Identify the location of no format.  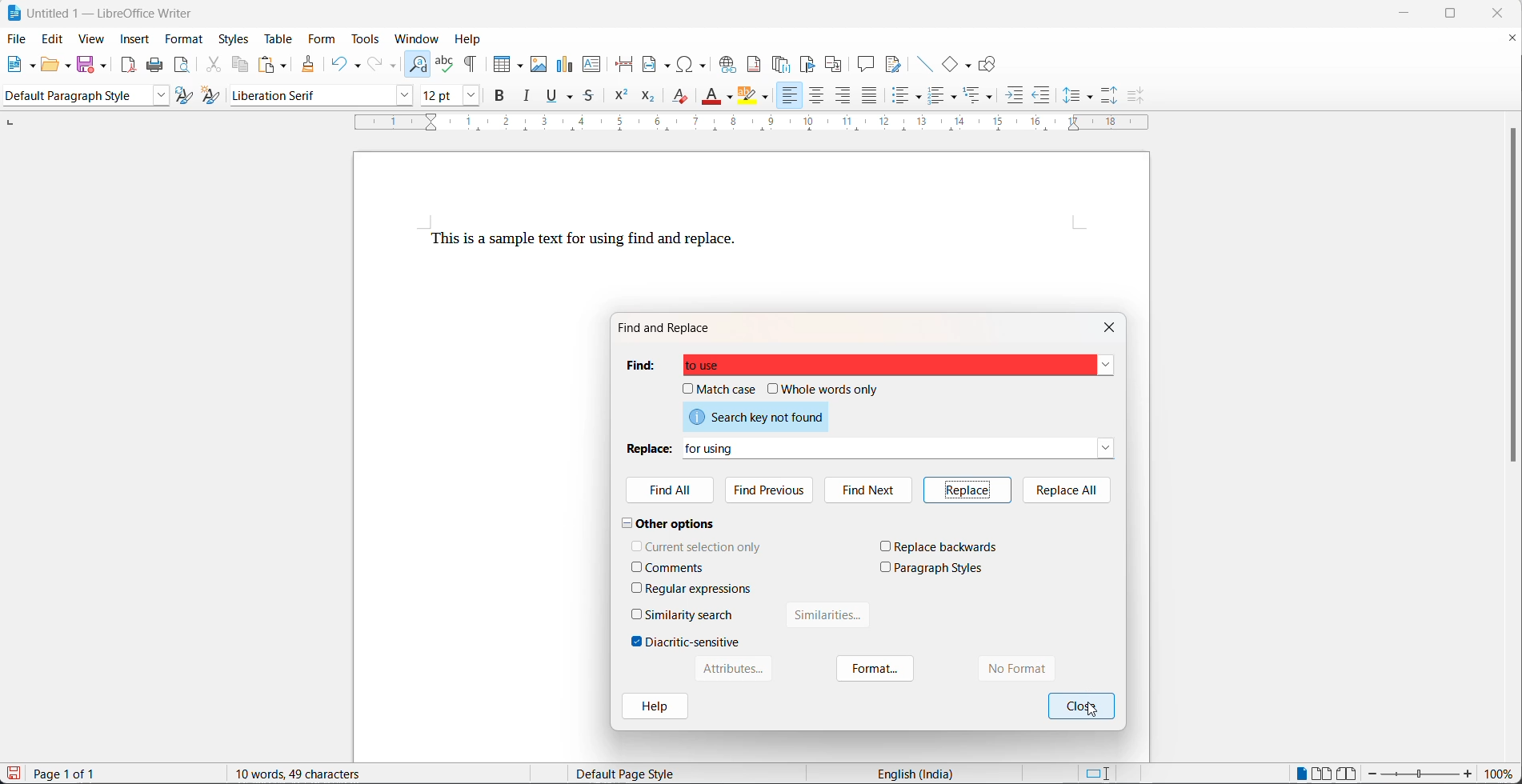
(1034, 669).